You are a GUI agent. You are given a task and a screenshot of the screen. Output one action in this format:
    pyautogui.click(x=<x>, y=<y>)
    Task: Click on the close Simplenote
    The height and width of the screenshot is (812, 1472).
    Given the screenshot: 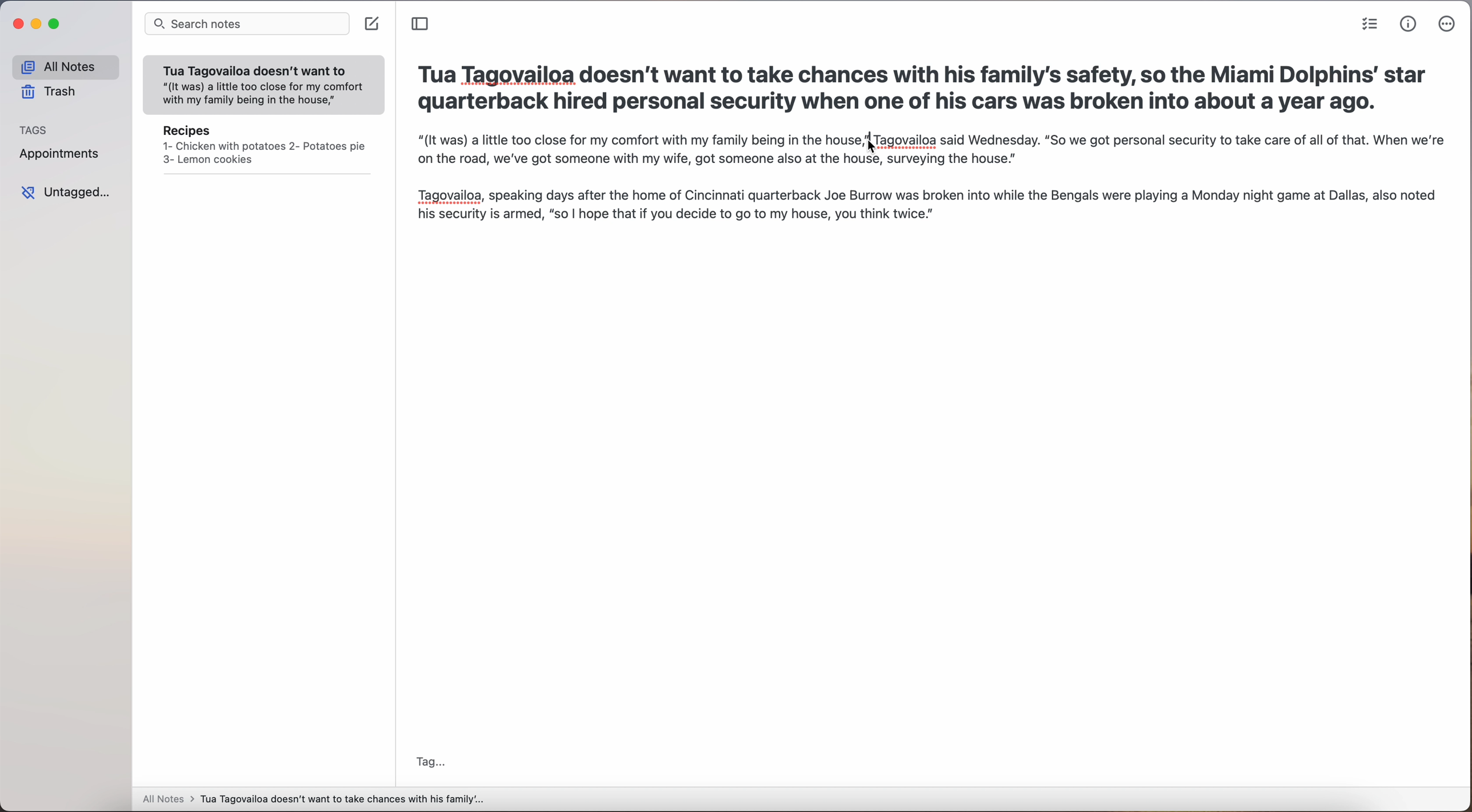 What is the action you would take?
    pyautogui.click(x=17, y=24)
    